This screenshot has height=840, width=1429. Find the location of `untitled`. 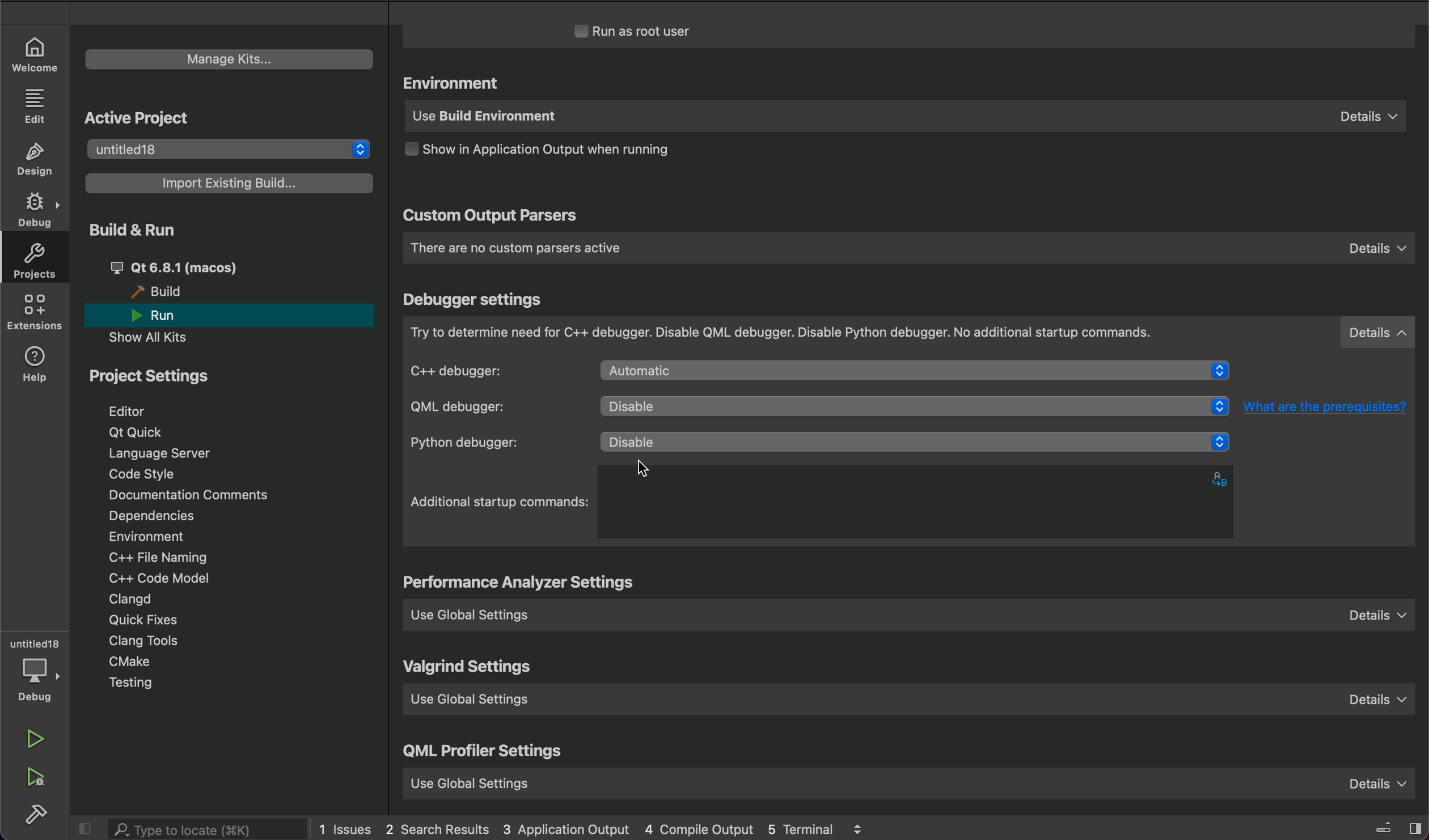

untitled is located at coordinates (35, 644).